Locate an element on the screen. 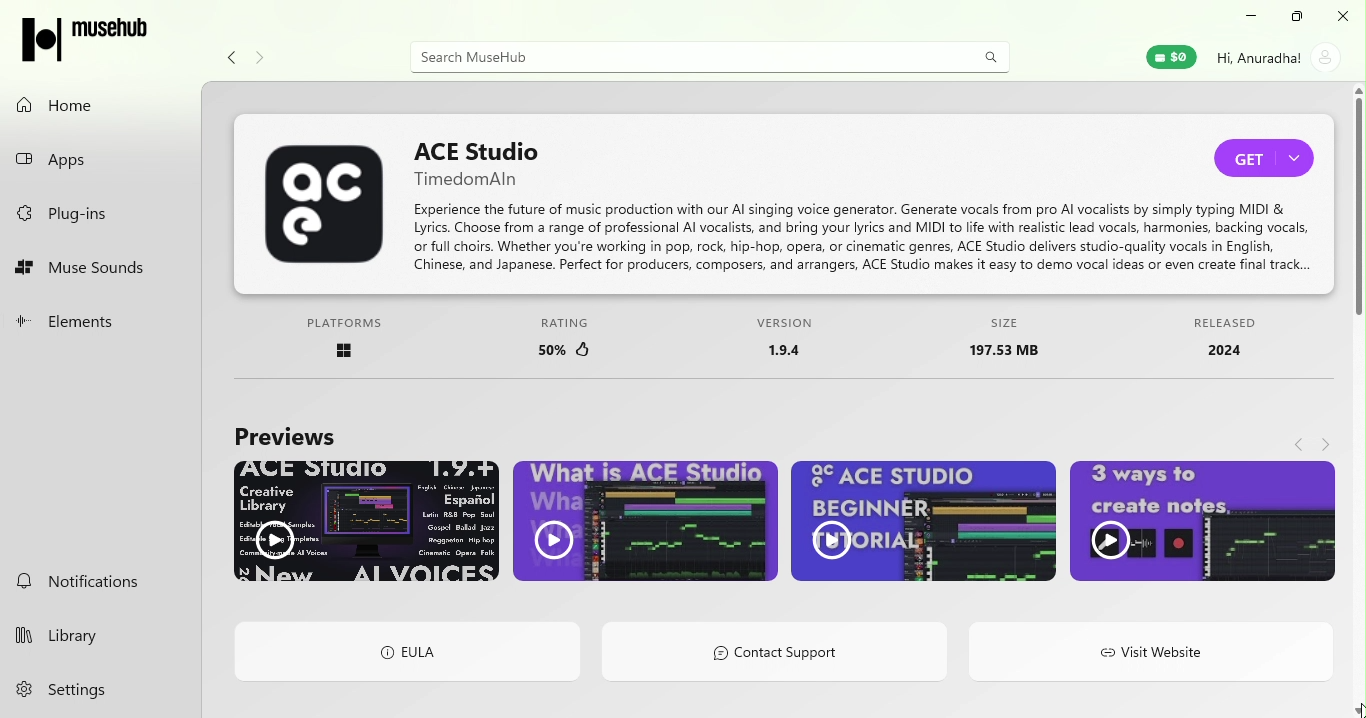  home is located at coordinates (94, 105).